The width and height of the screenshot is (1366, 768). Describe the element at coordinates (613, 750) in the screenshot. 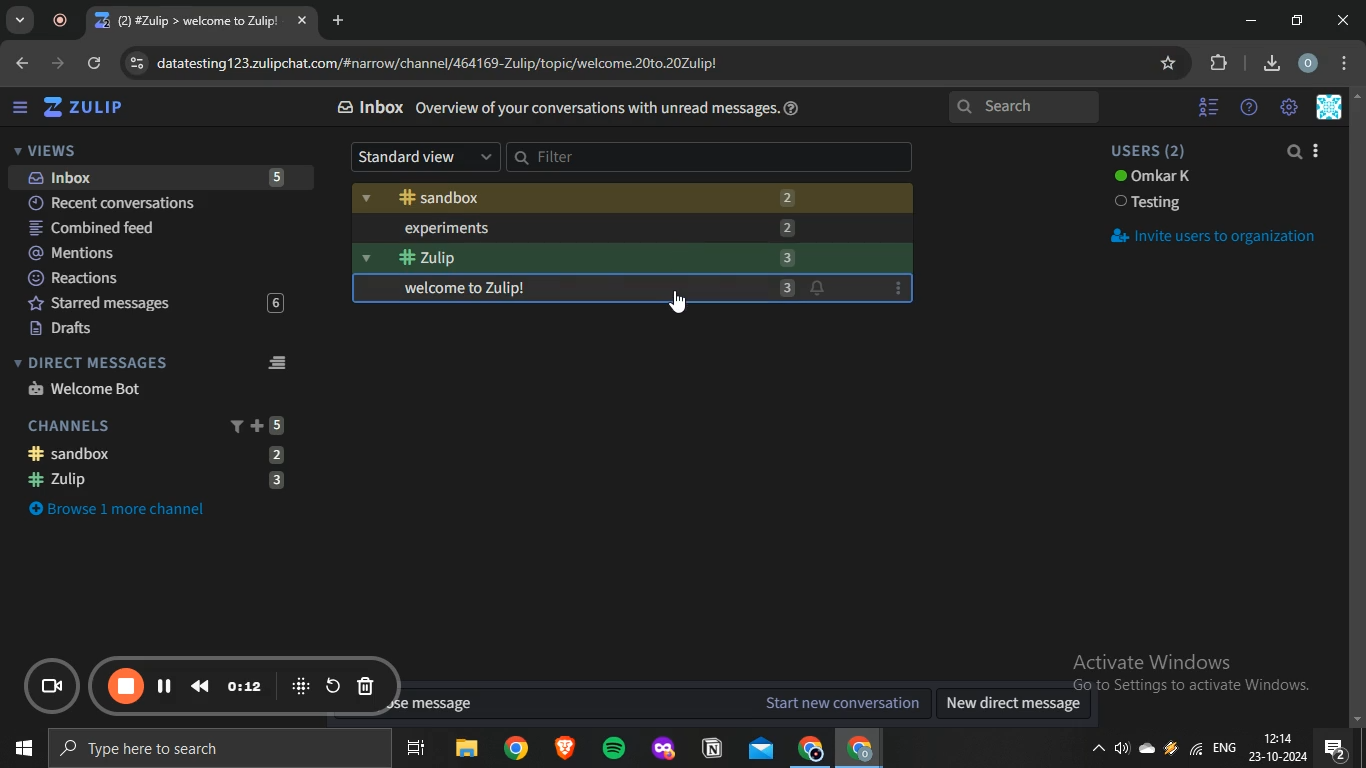

I see `spotify` at that location.